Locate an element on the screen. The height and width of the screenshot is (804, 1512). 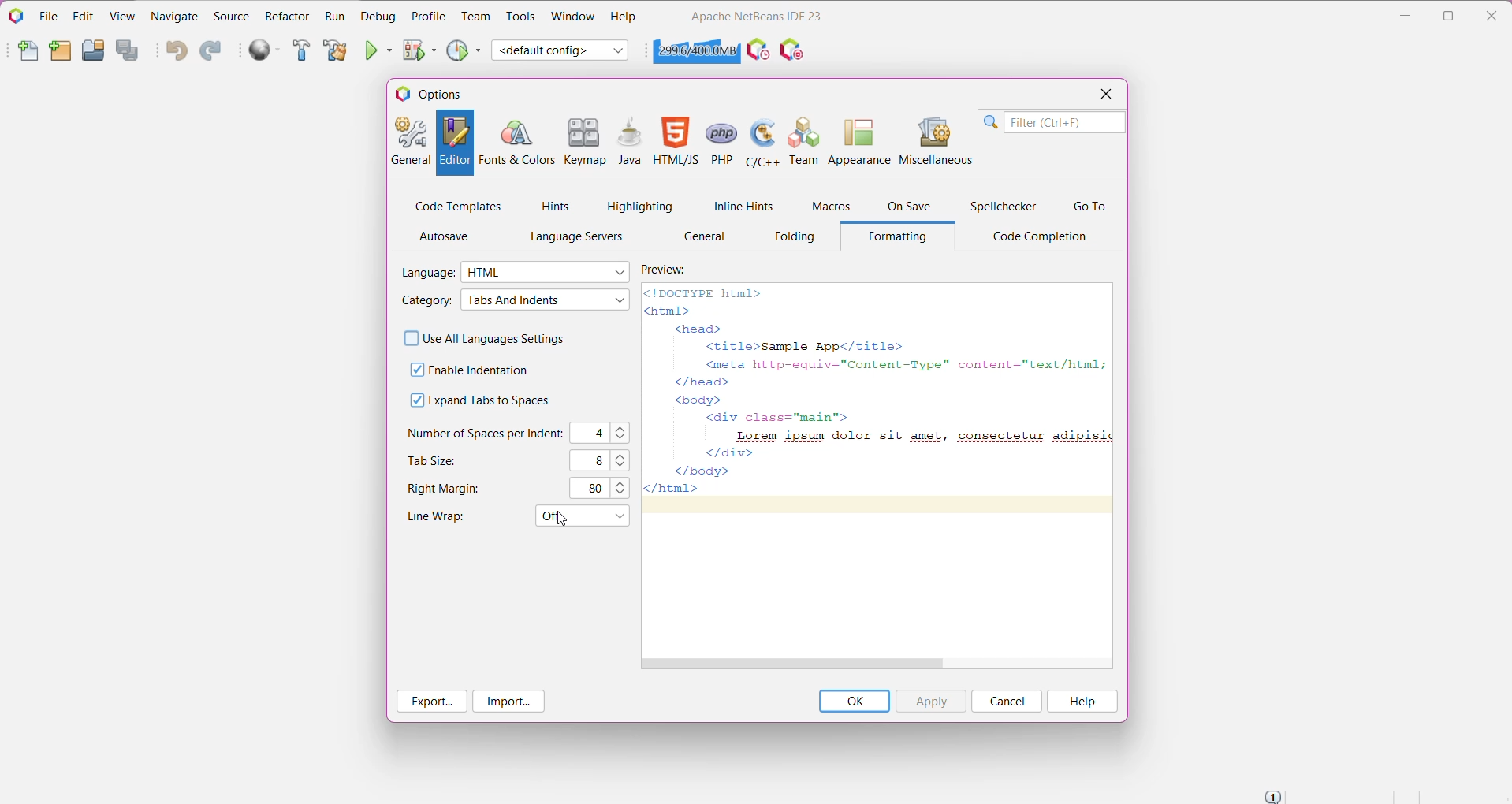
Undo is located at coordinates (176, 52).